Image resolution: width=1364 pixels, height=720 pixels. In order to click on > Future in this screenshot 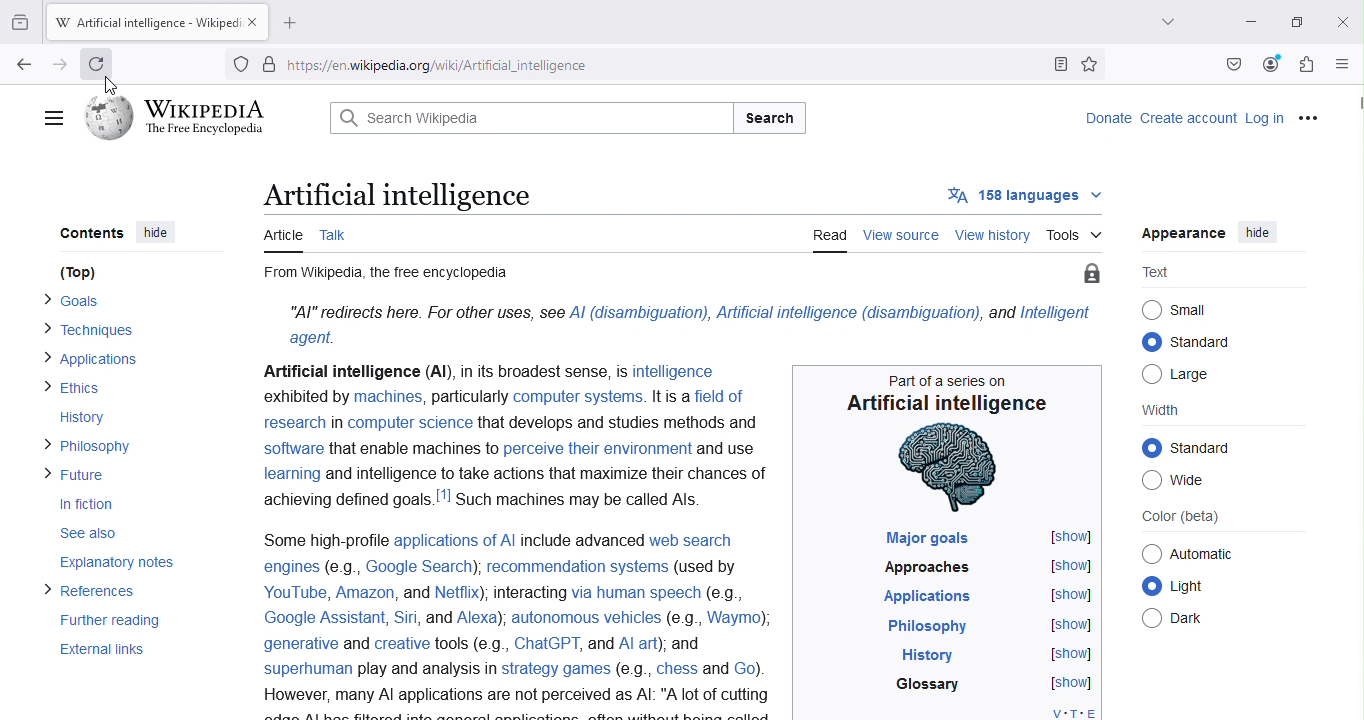, I will do `click(83, 476)`.